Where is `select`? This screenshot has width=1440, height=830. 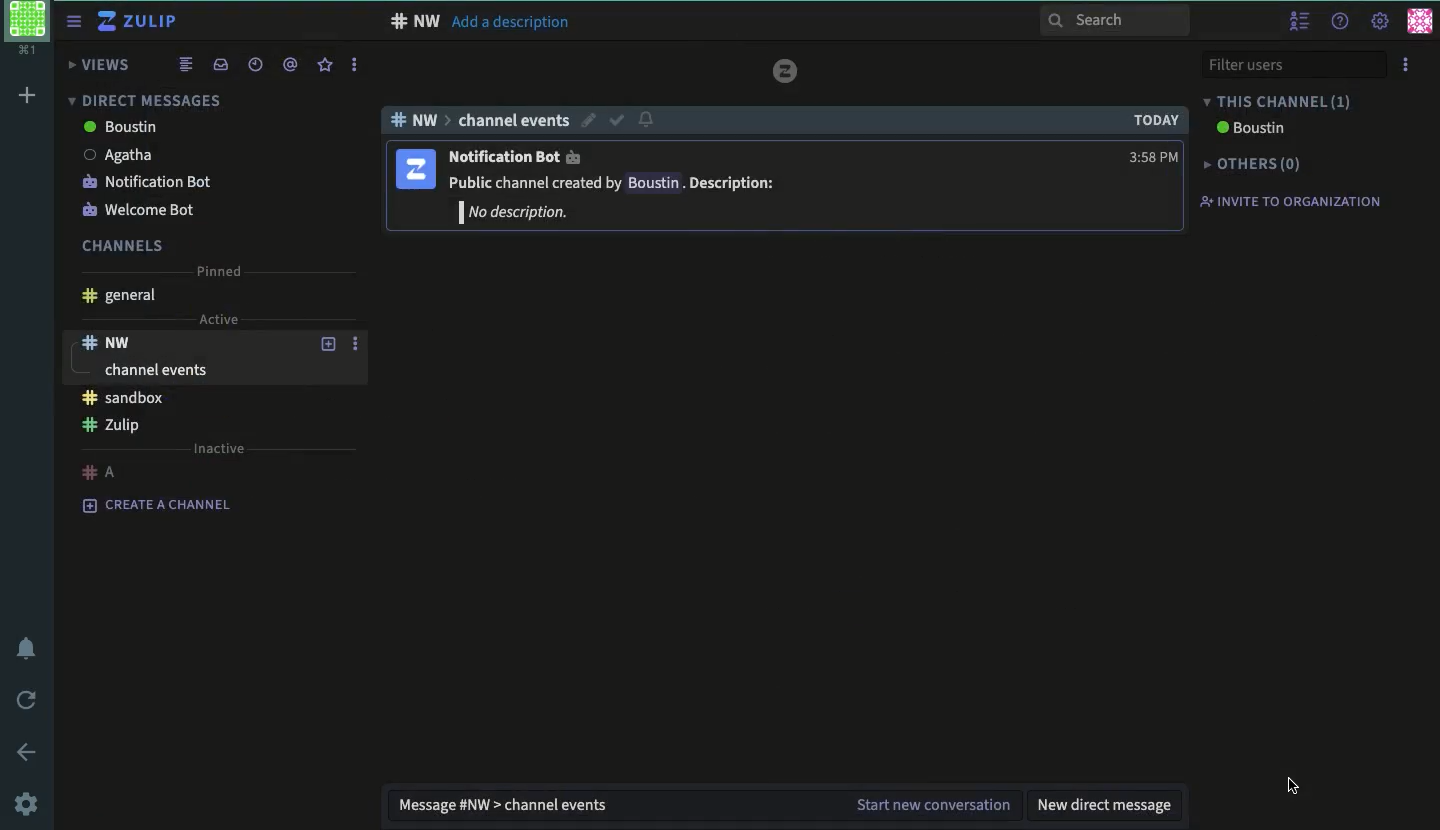 select is located at coordinates (616, 120).